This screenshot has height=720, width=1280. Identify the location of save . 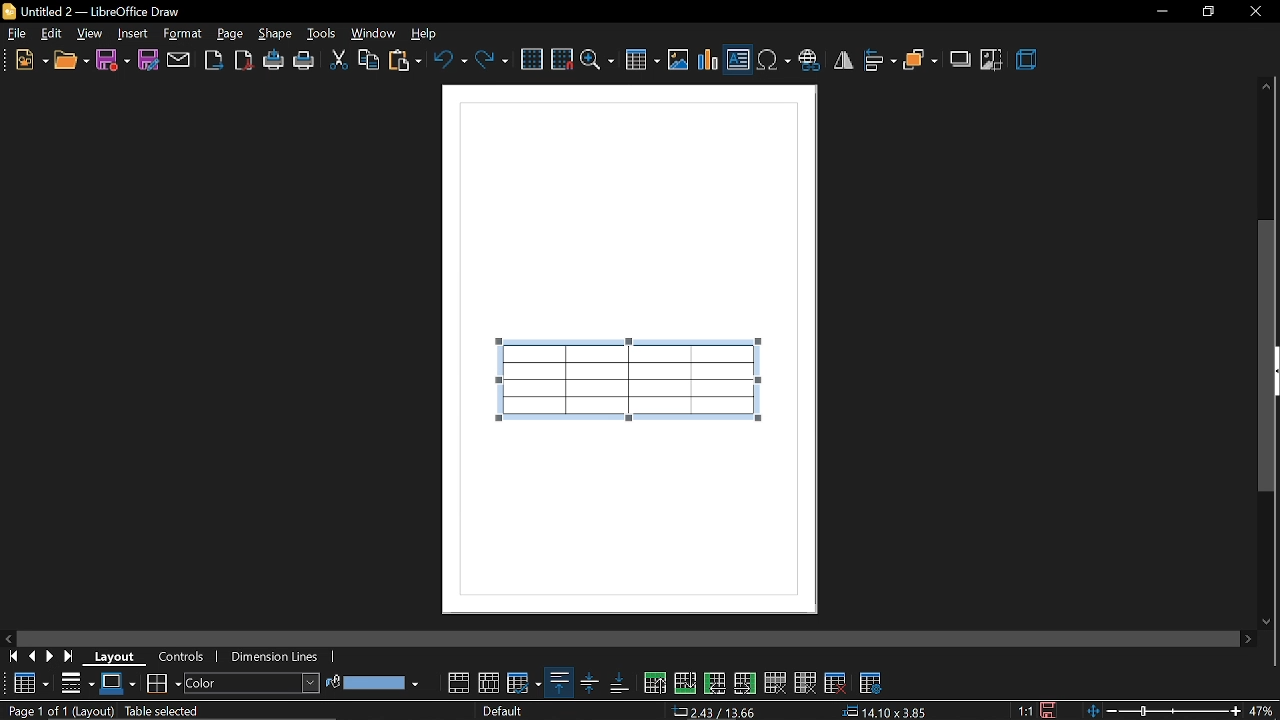
(112, 61).